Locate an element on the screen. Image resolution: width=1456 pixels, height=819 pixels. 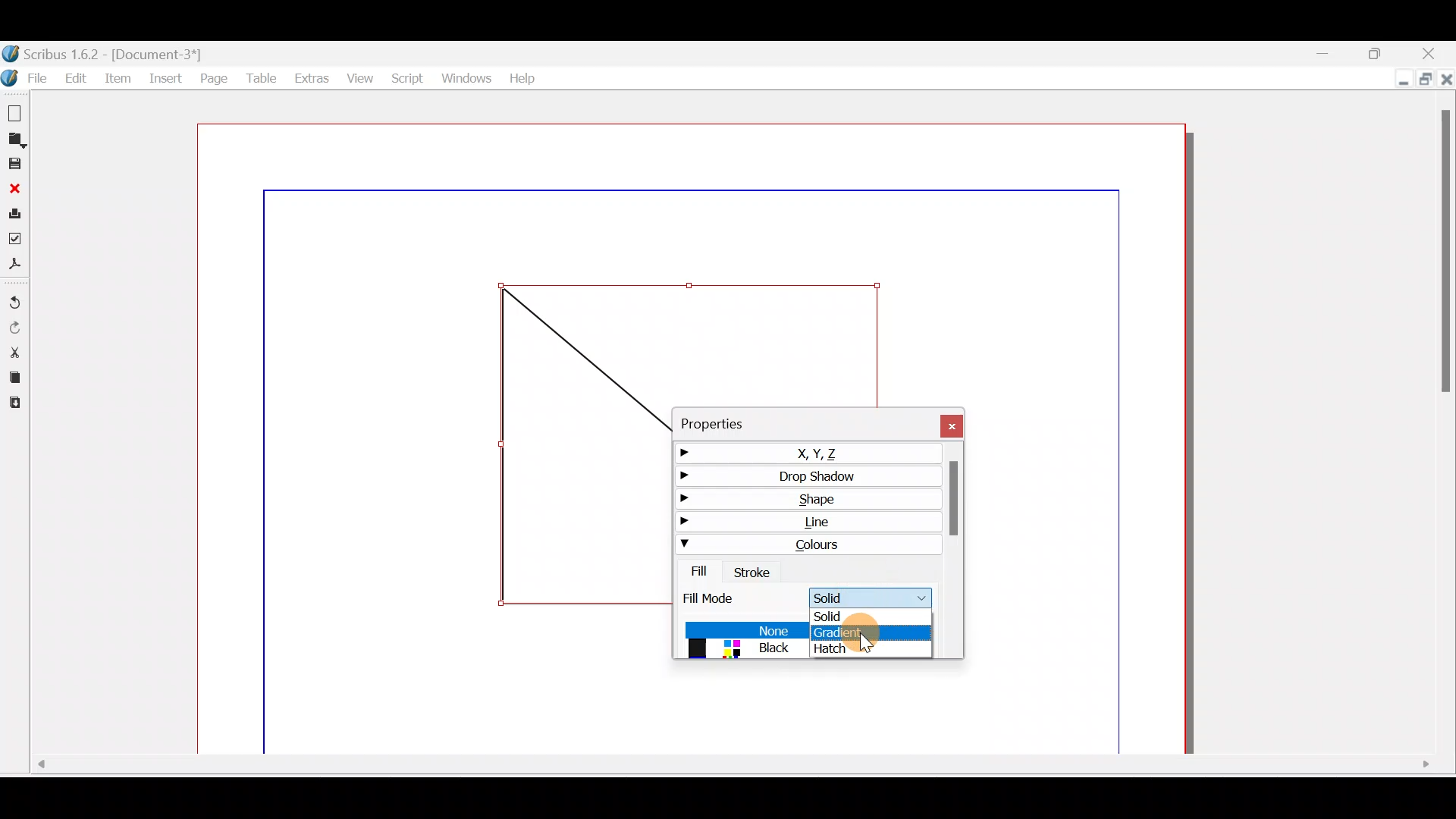
View is located at coordinates (358, 75).